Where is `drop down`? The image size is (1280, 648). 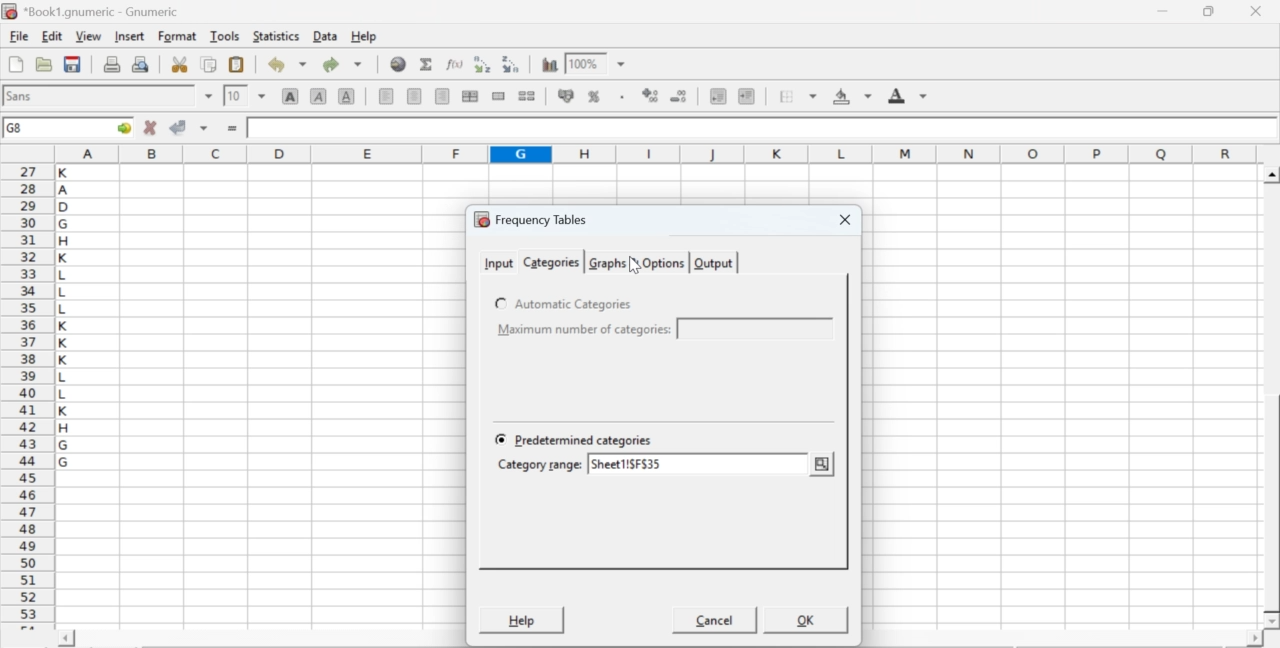
drop down is located at coordinates (622, 65).